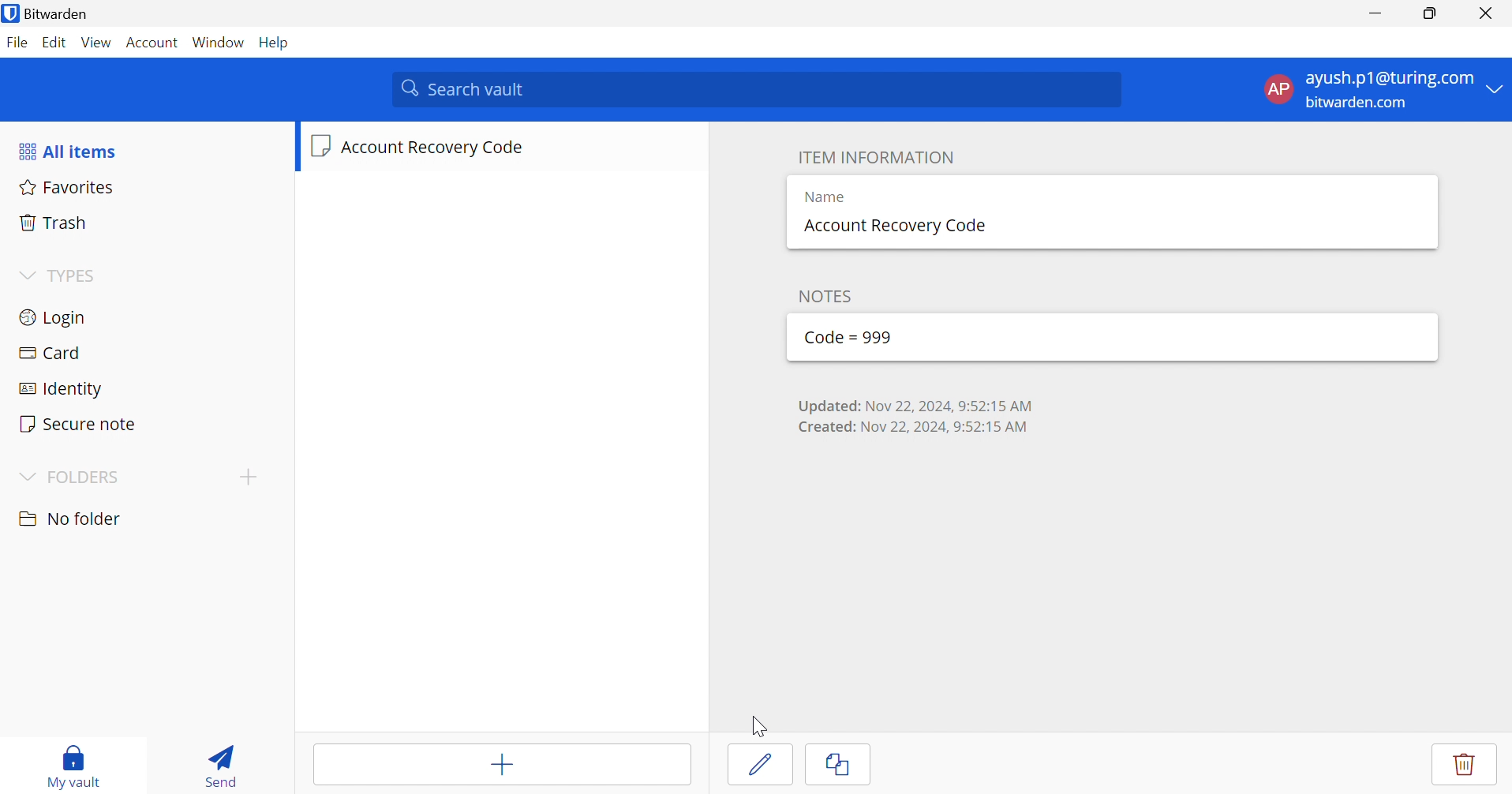  What do you see at coordinates (27, 274) in the screenshot?
I see `Dropdown` at bounding box center [27, 274].